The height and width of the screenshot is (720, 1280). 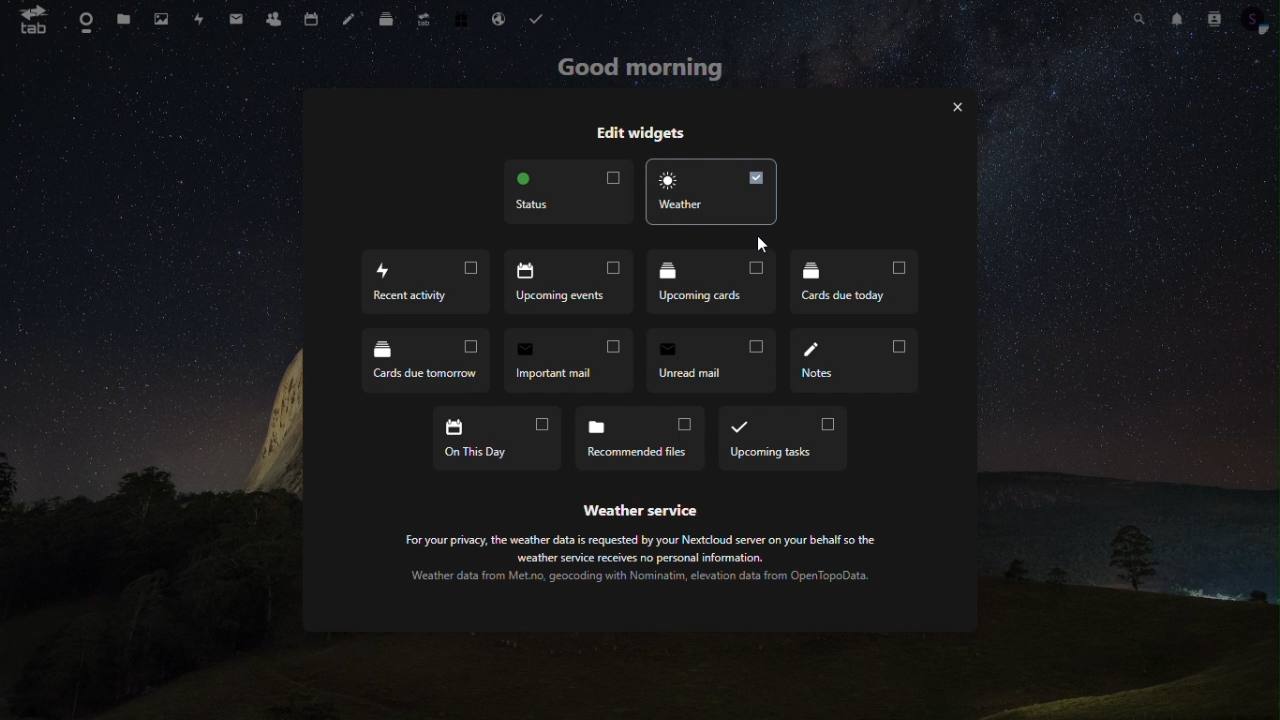 What do you see at coordinates (164, 20) in the screenshot?
I see `photo` at bounding box center [164, 20].